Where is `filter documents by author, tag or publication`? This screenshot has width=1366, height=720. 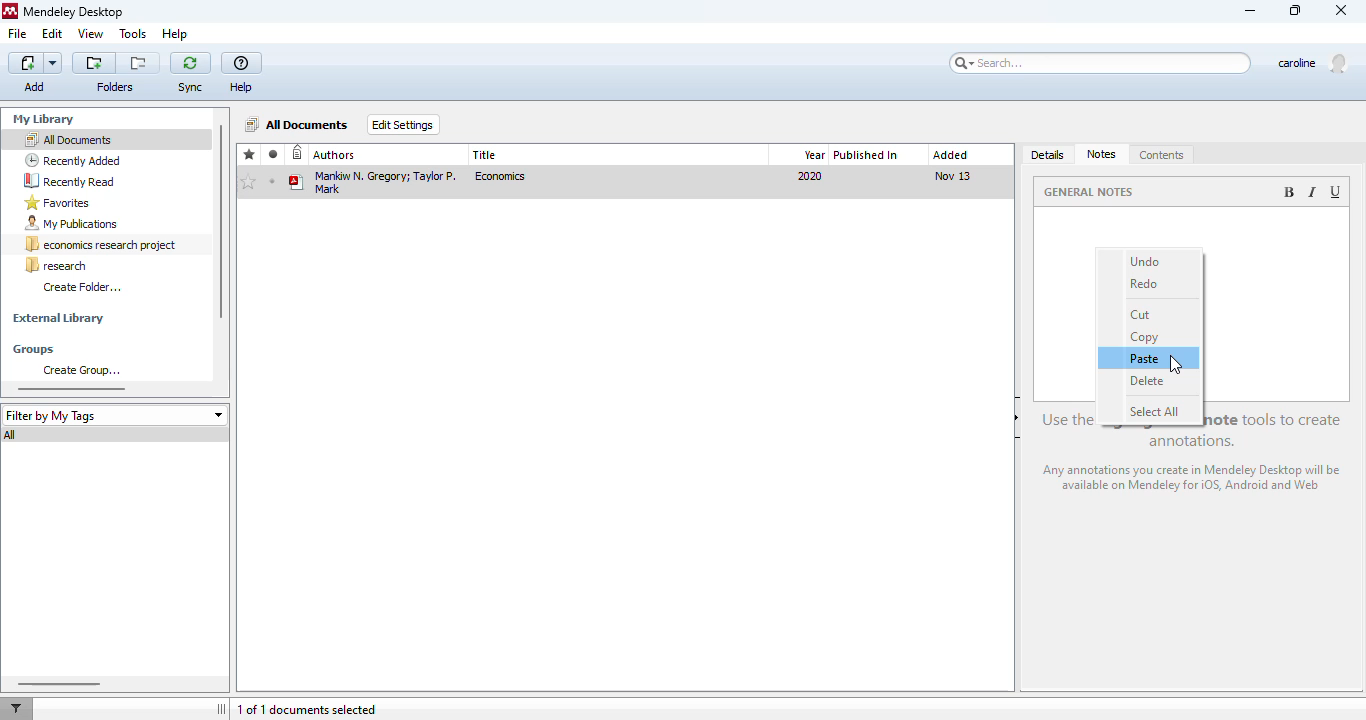 filter documents by author, tag or publication is located at coordinates (15, 709).